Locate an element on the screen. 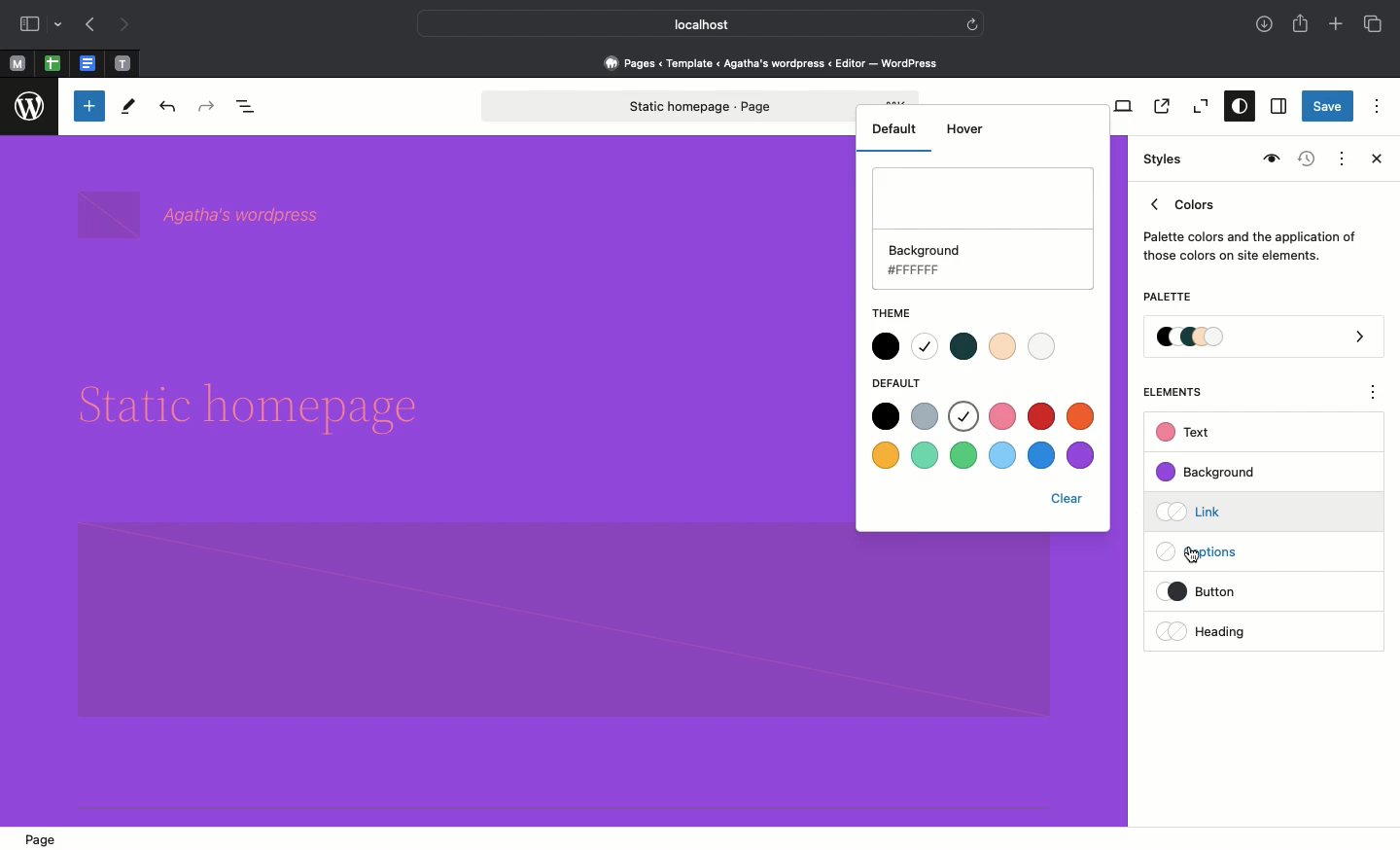 Image resolution: width=1400 pixels, height=850 pixels. cursor is located at coordinates (1195, 555).